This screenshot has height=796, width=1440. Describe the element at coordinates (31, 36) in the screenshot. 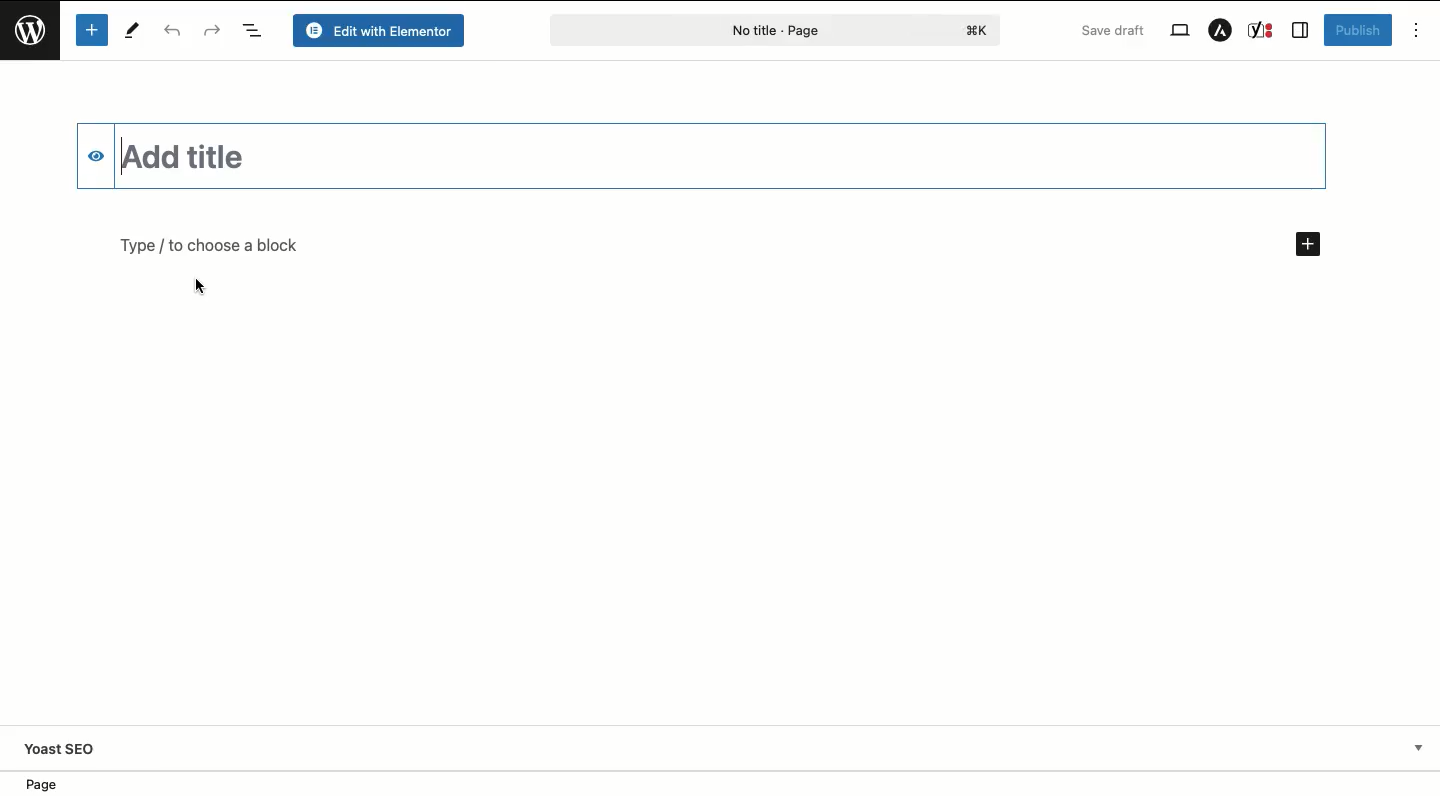

I see `W logo` at that location.